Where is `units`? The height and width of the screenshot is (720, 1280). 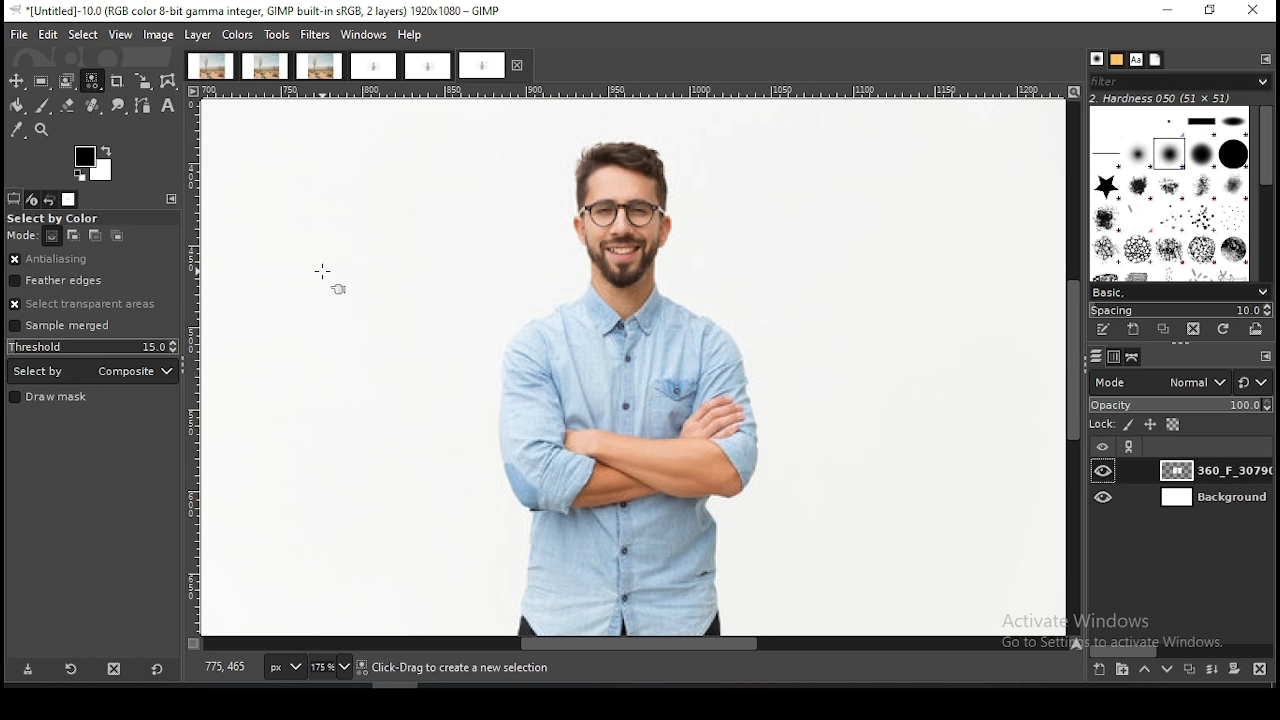 units is located at coordinates (284, 667).